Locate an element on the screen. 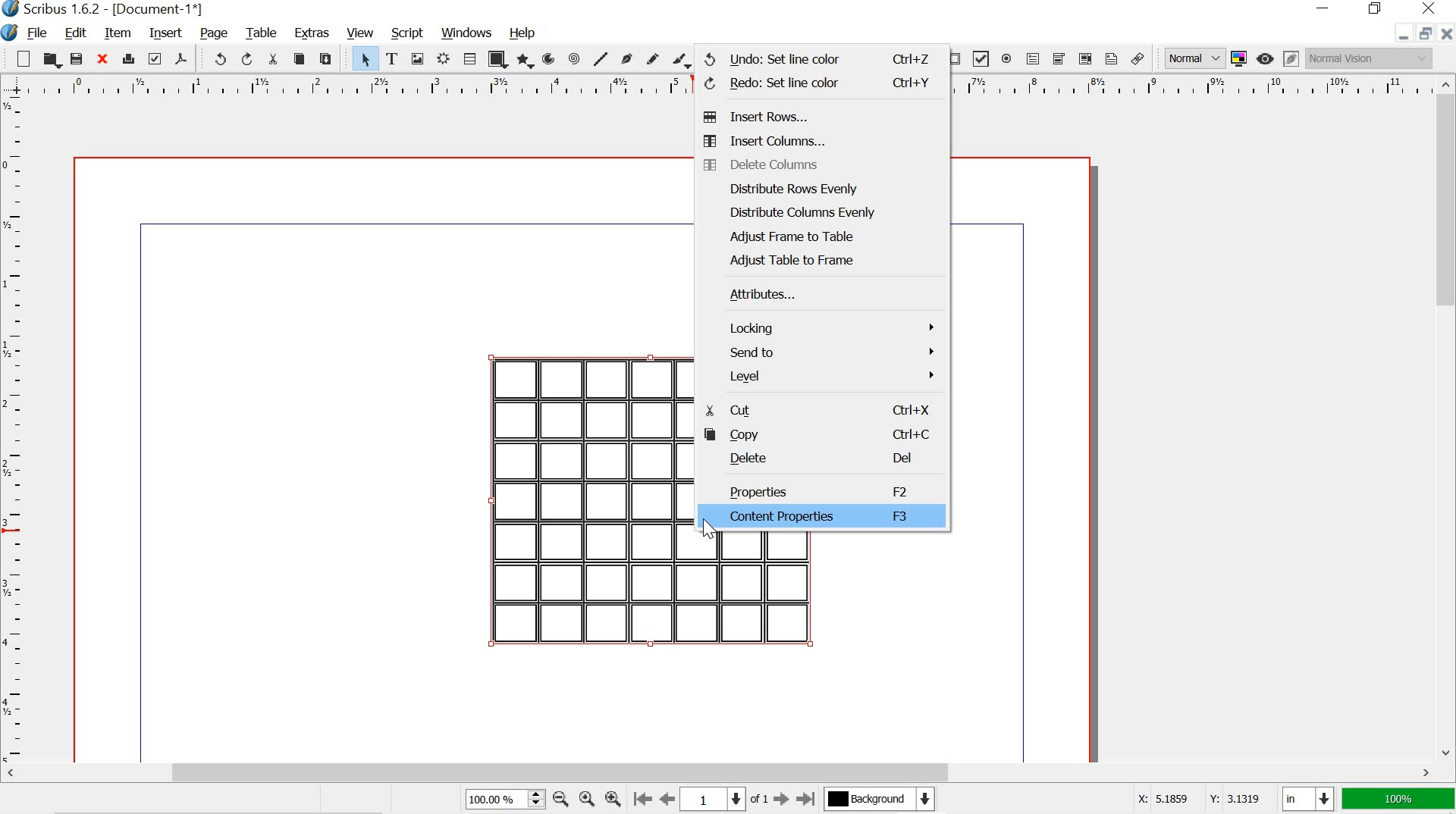 This screenshot has height=814, width=1456. send to is located at coordinates (832, 352).